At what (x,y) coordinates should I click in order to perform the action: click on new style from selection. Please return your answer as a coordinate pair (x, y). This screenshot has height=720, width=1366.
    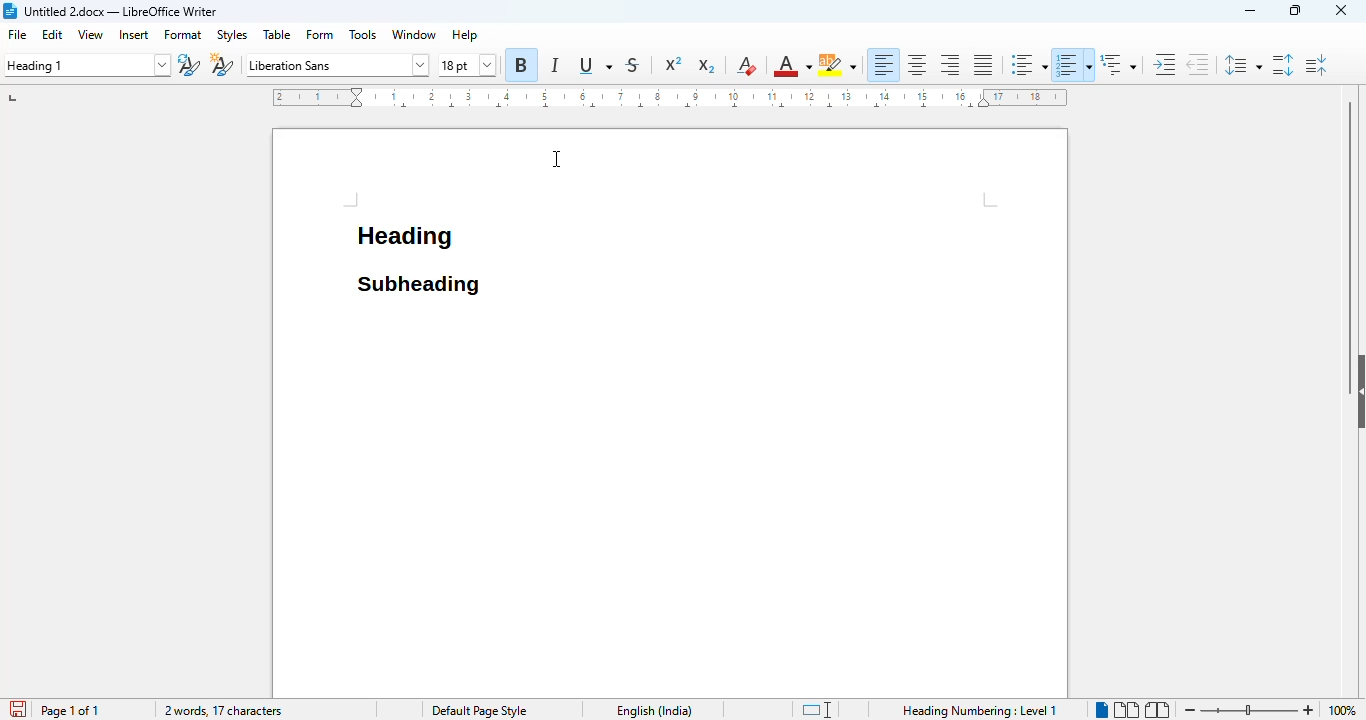
    Looking at the image, I should click on (221, 64).